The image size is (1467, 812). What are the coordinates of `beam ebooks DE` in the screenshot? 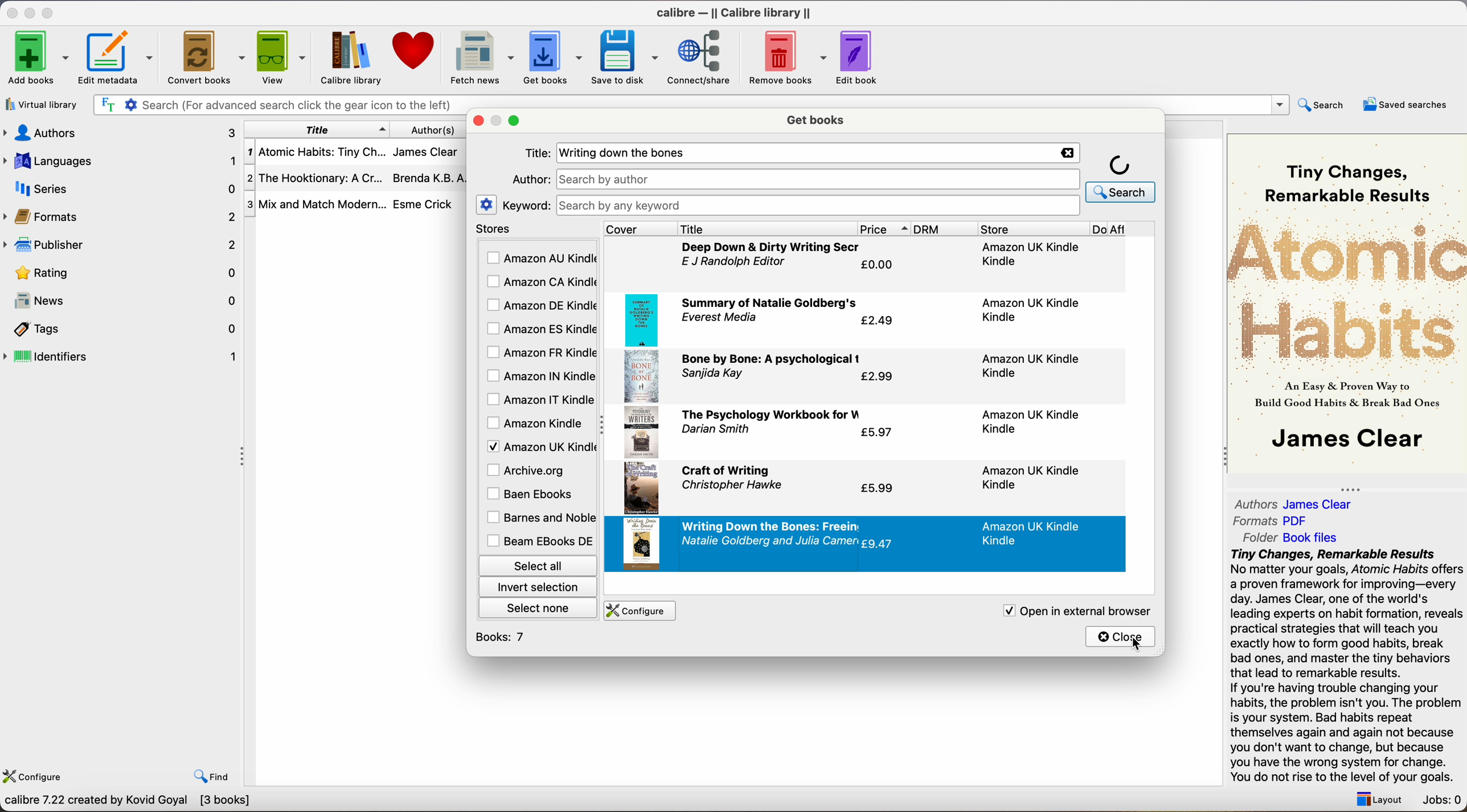 It's located at (539, 541).